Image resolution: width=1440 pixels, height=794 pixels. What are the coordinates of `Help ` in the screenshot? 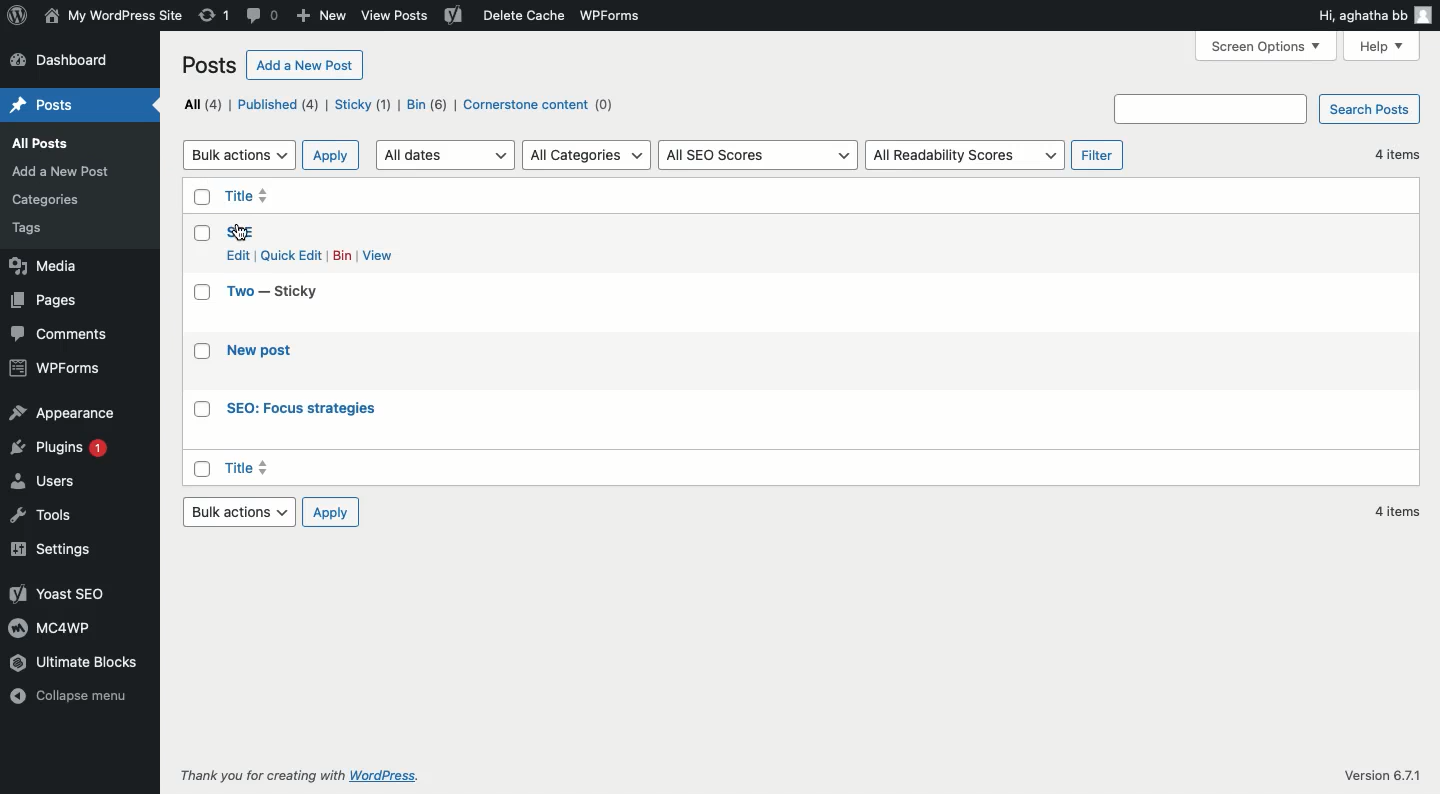 It's located at (1388, 49).